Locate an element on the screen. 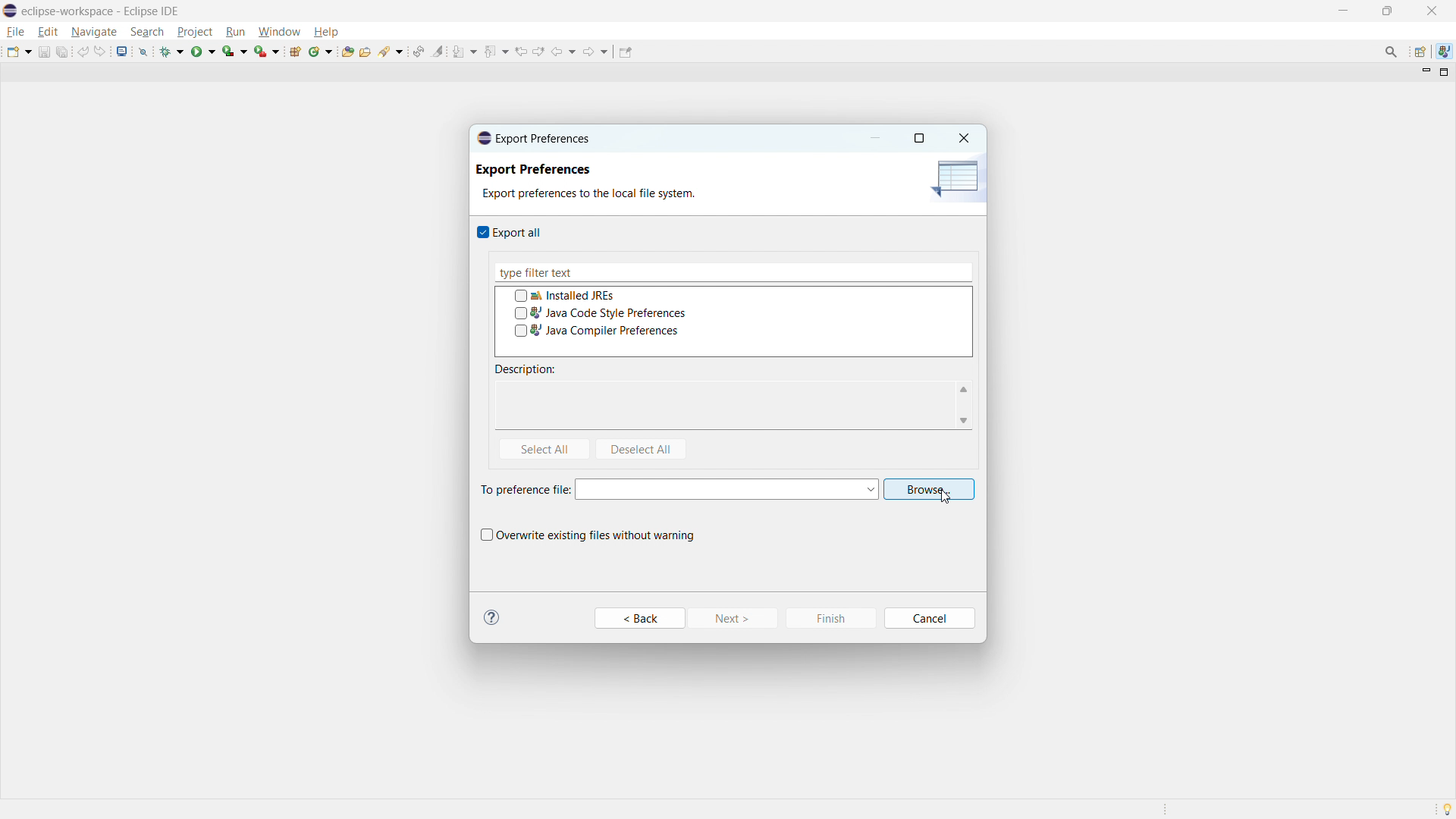 This screenshot has height=819, width=1456. open type is located at coordinates (347, 51).